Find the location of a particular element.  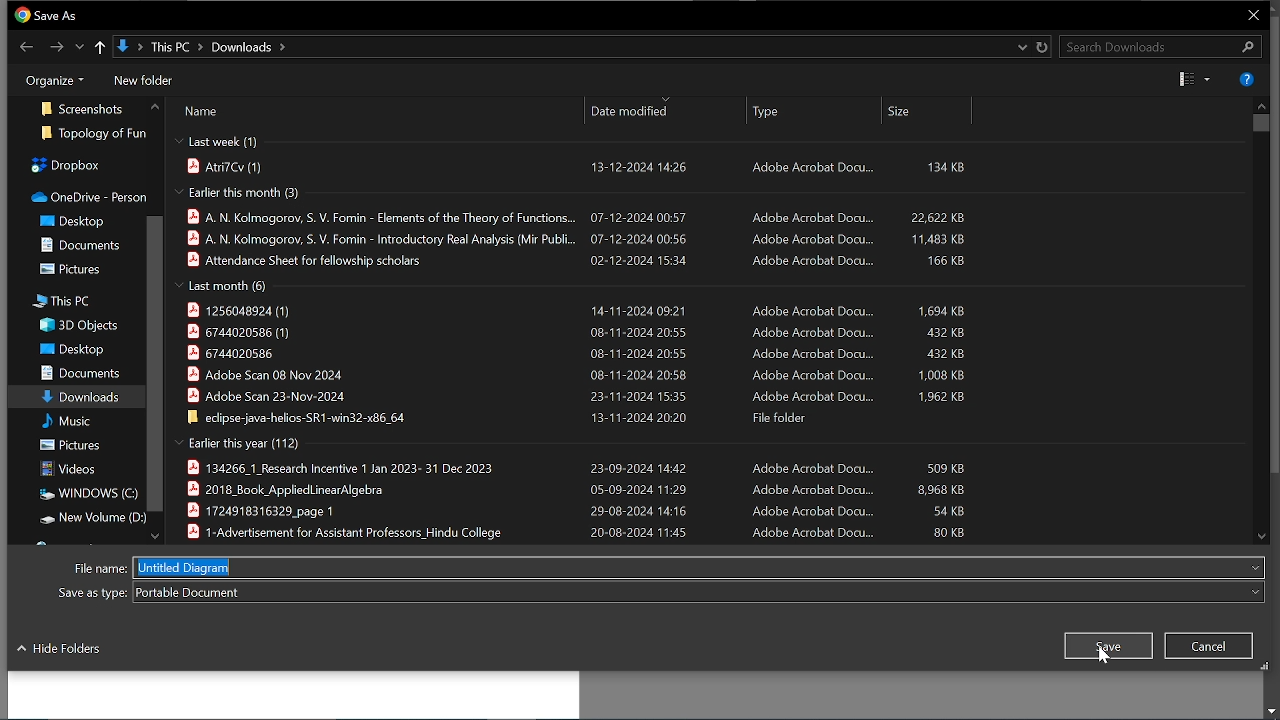

Change View  is located at coordinates (1194, 79).